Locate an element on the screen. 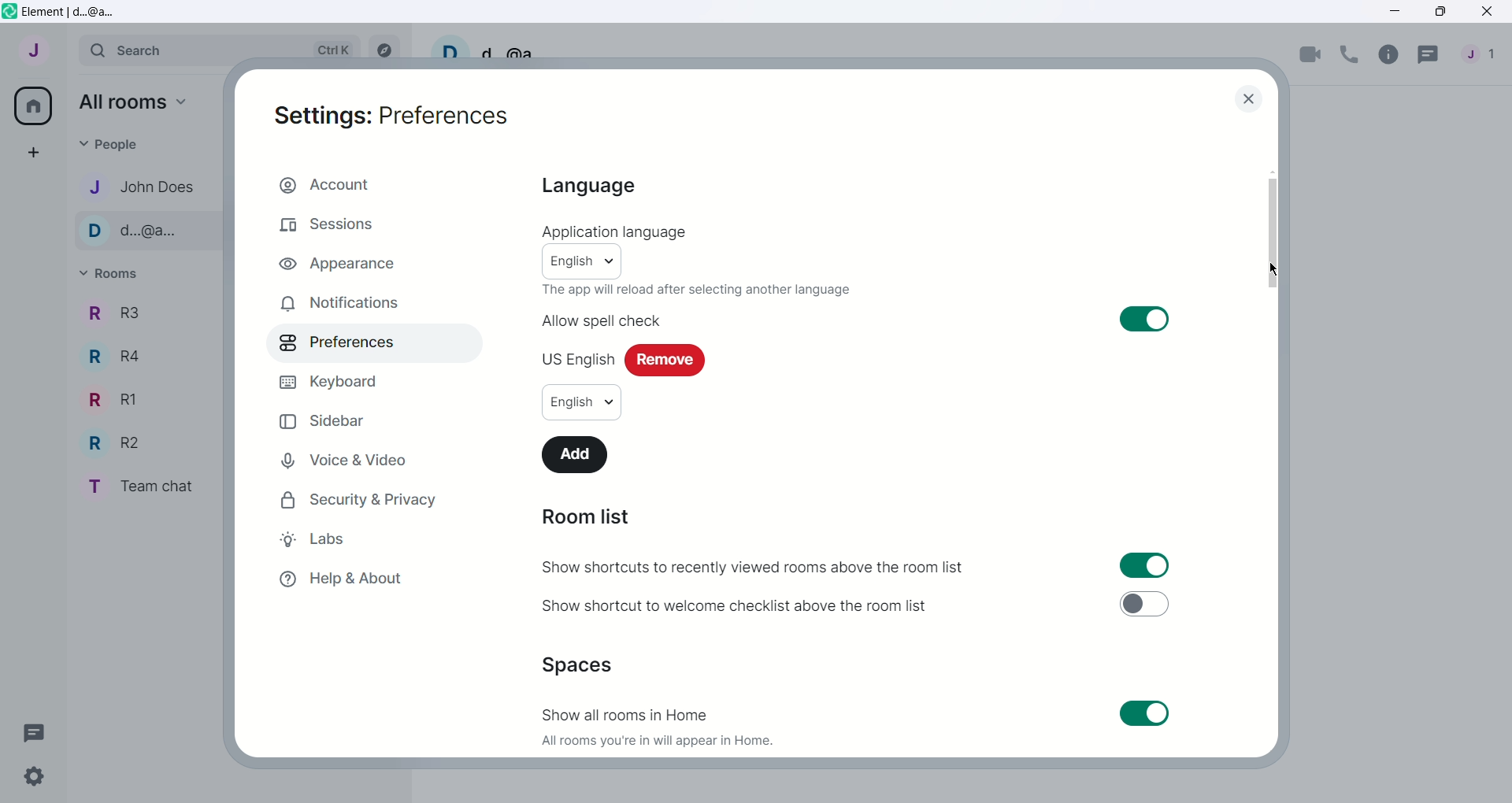 The width and height of the screenshot is (1512, 803). Allow spell check is located at coordinates (602, 321).